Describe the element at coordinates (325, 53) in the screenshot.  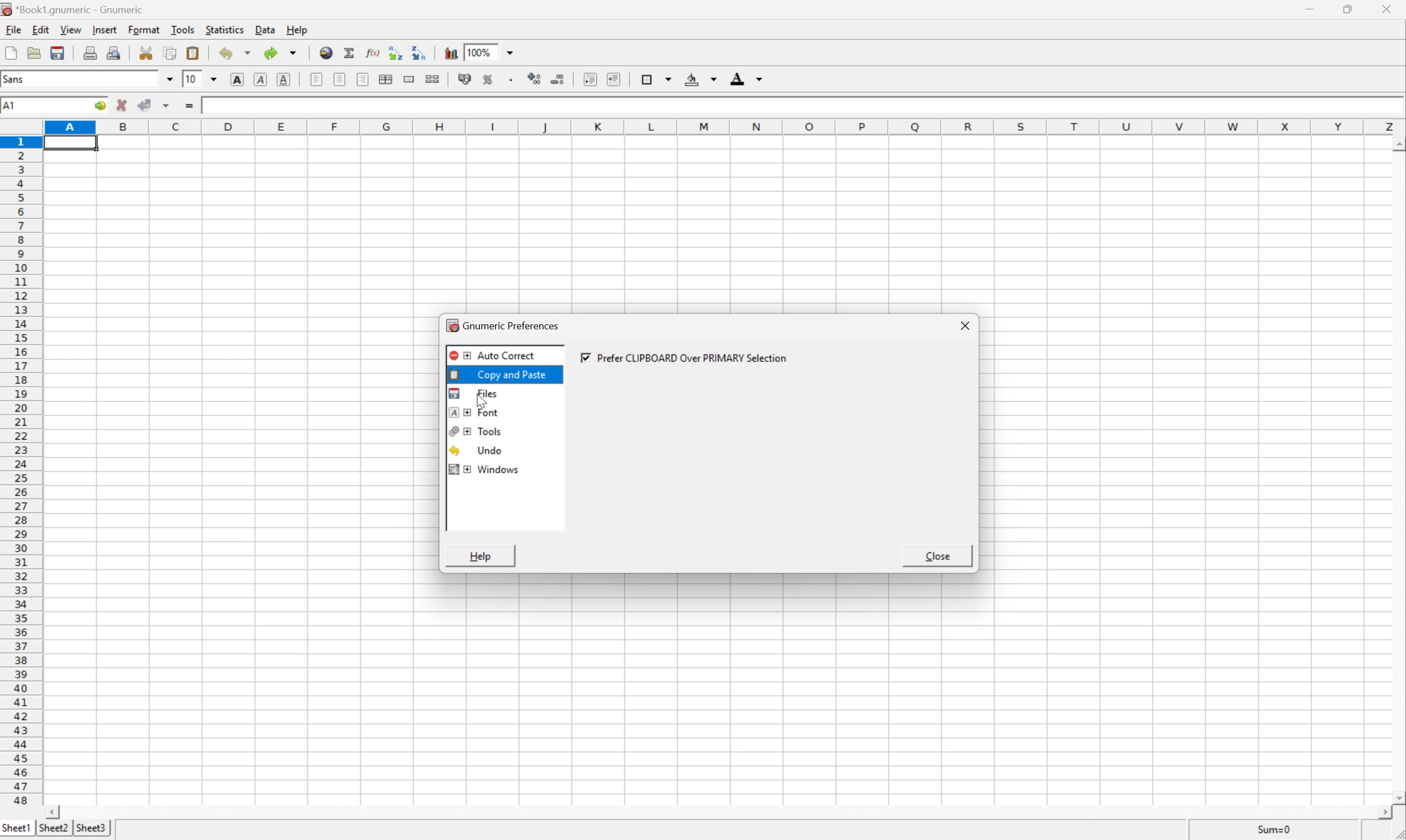
I see `insert hyperlink` at that location.